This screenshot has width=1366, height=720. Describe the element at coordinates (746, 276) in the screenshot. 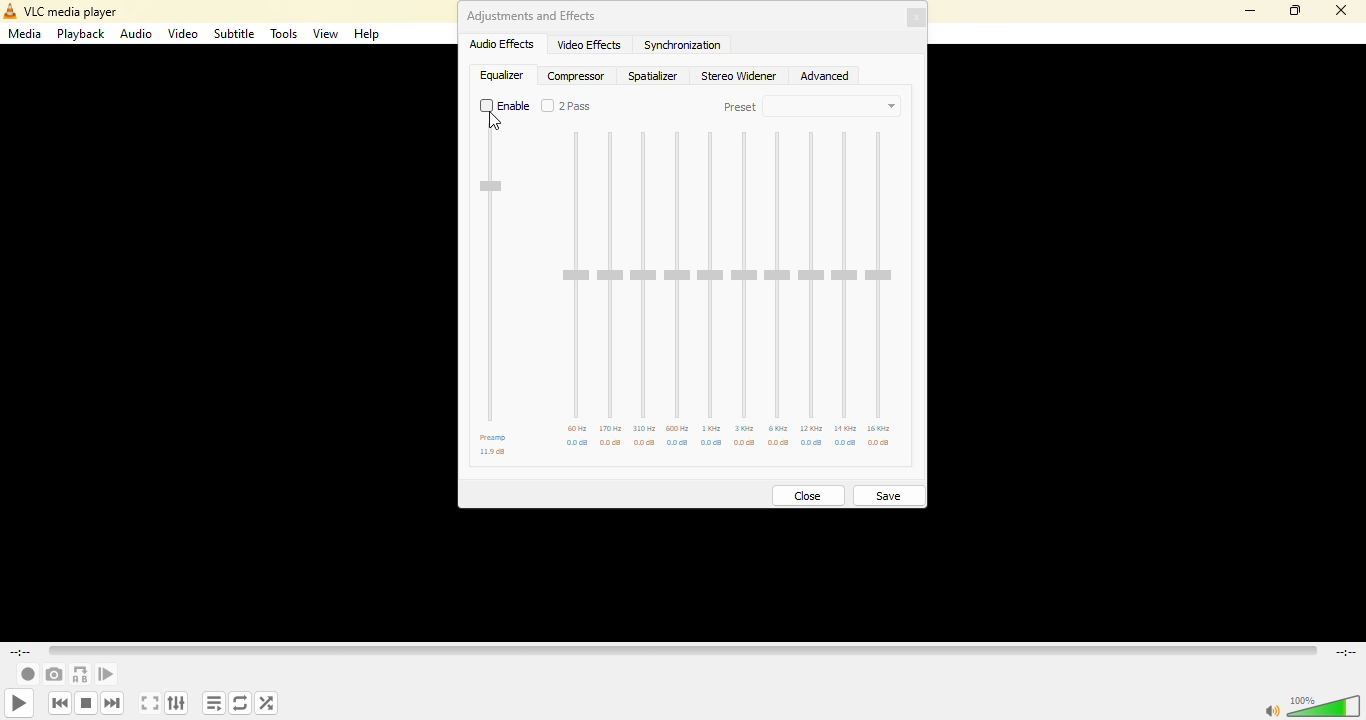

I see `adjustor` at that location.